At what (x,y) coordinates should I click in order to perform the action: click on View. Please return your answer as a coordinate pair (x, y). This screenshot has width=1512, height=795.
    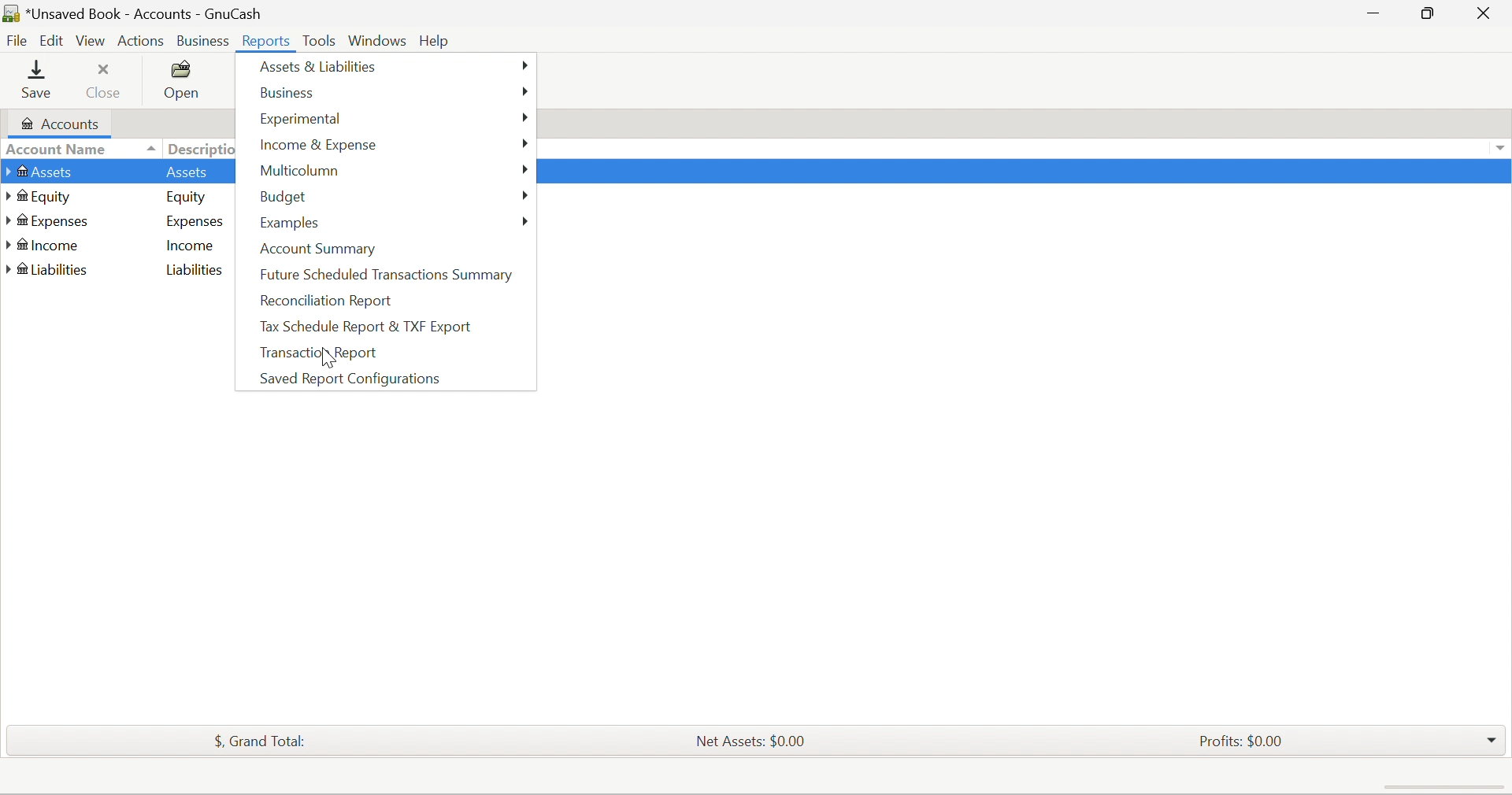
    Looking at the image, I should click on (93, 42).